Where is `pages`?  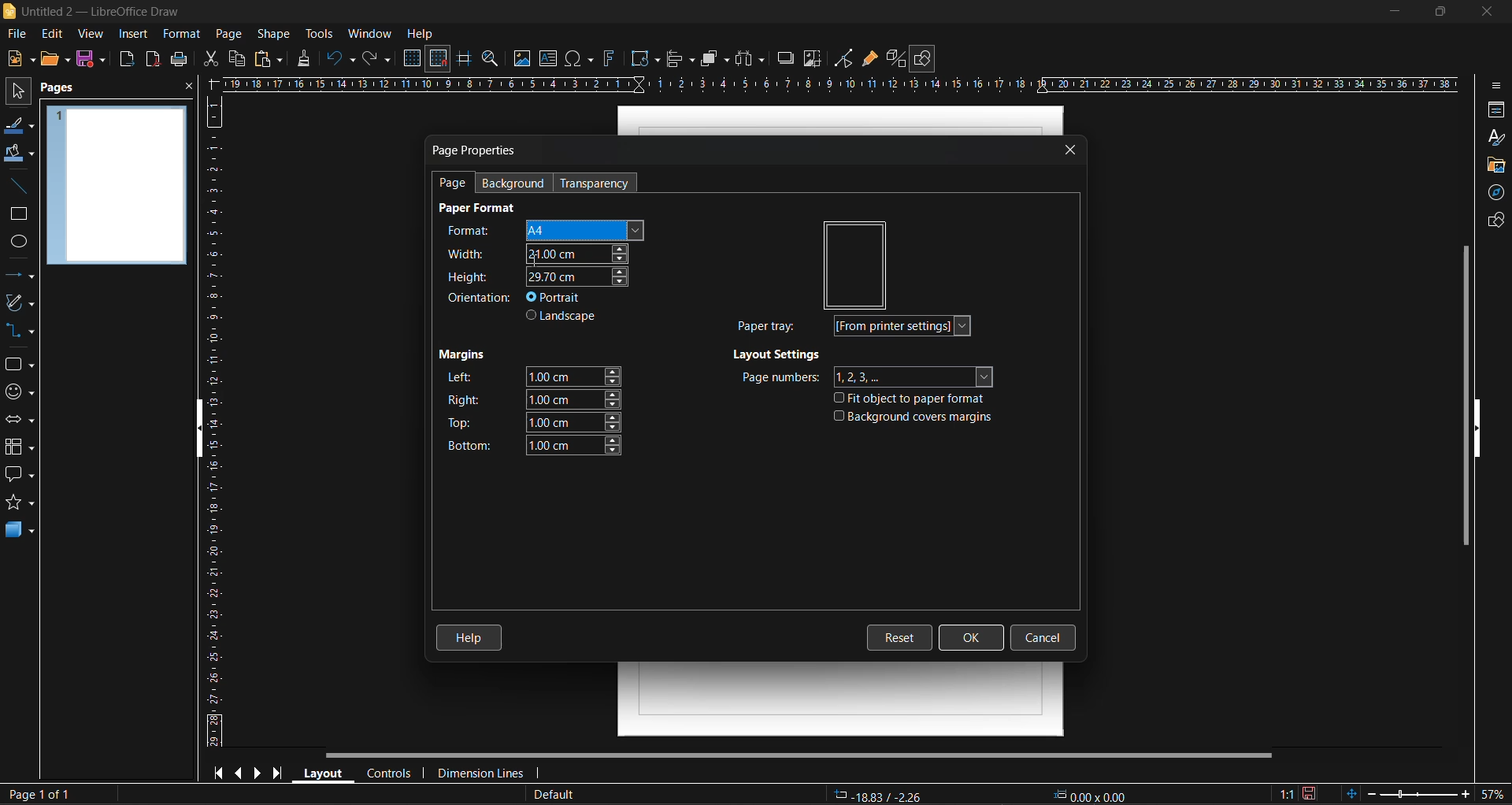
pages is located at coordinates (65, 91).